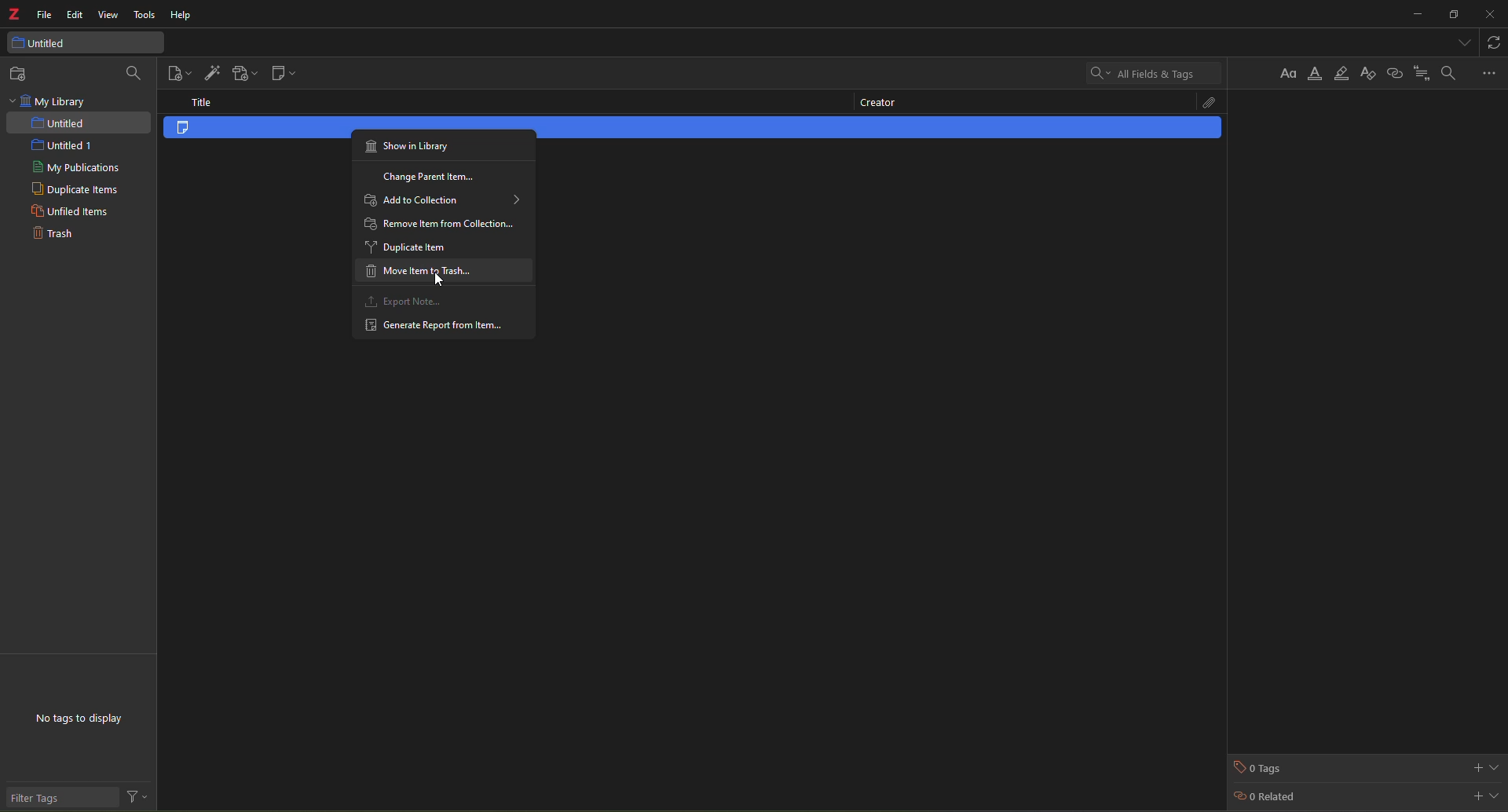 The height and width of the screenshot is (812, 1508). I want to click on untitled 1, so click(60, 146).